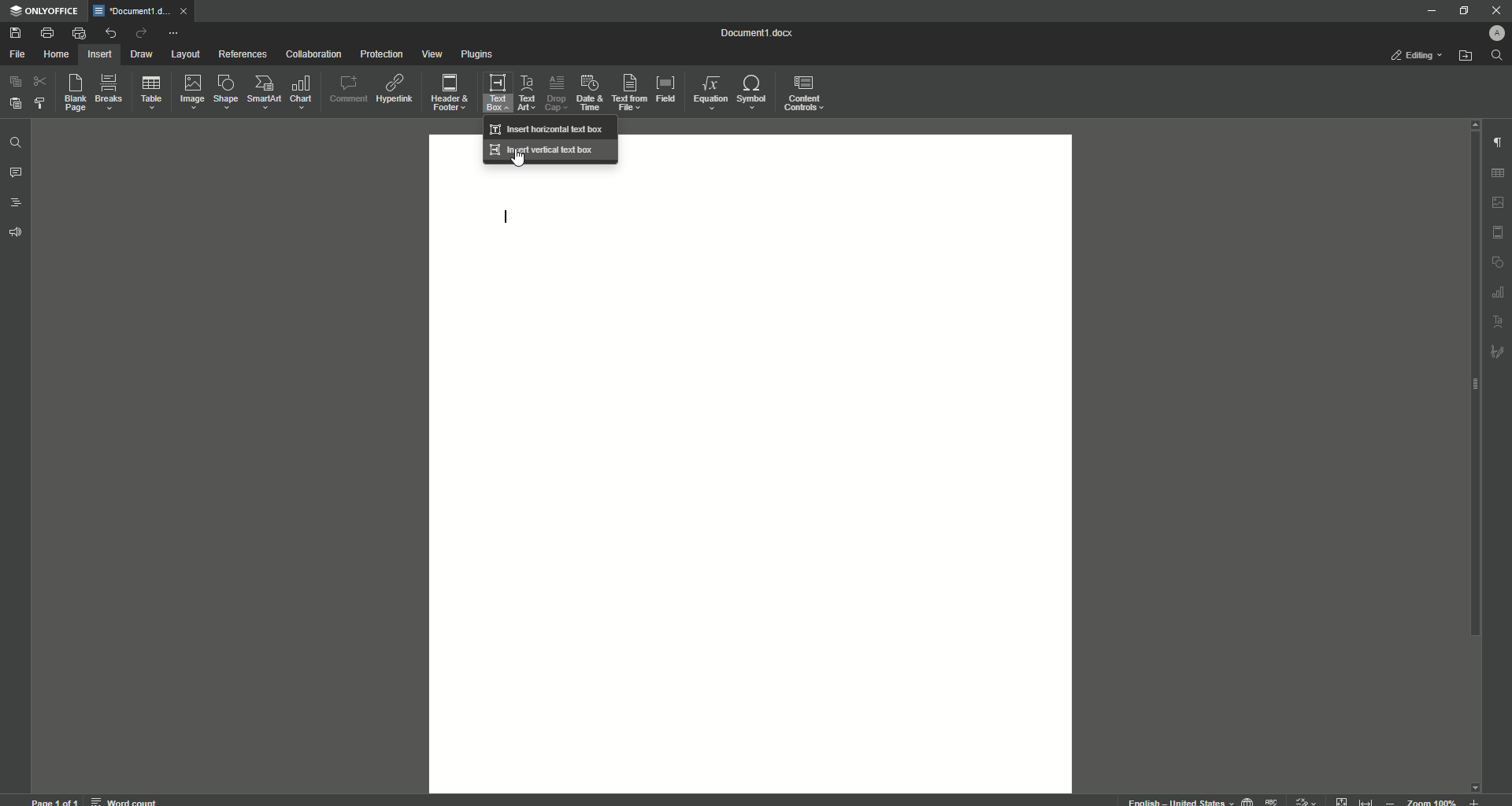 This screenshot has height=806, width=1512. Describe the element at coordinates (140, 35) in the screenshot. I see `Redo` at that location.